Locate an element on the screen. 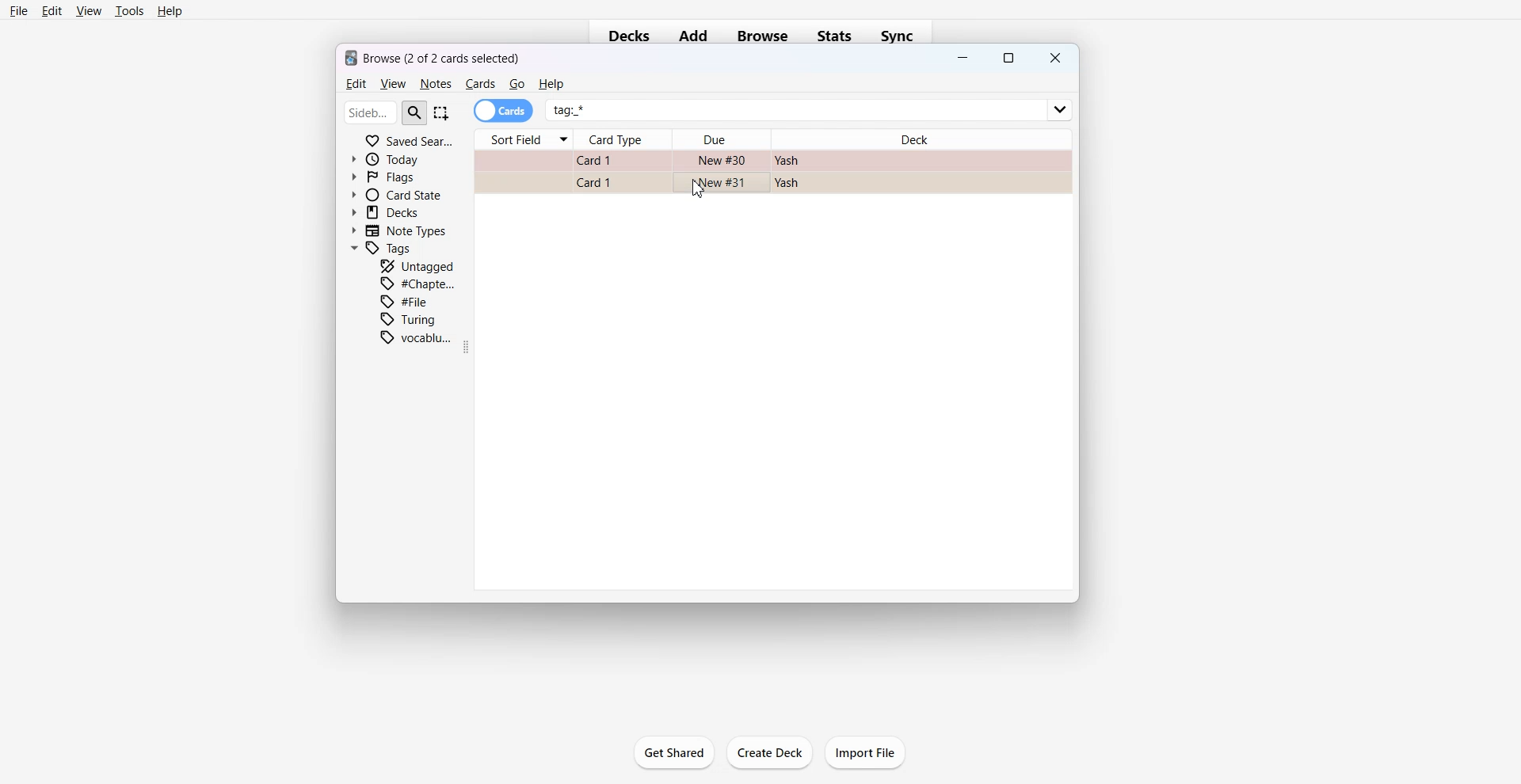 This screenshot has height=784, width=1521. Tags is located at coordinates (383, 249).